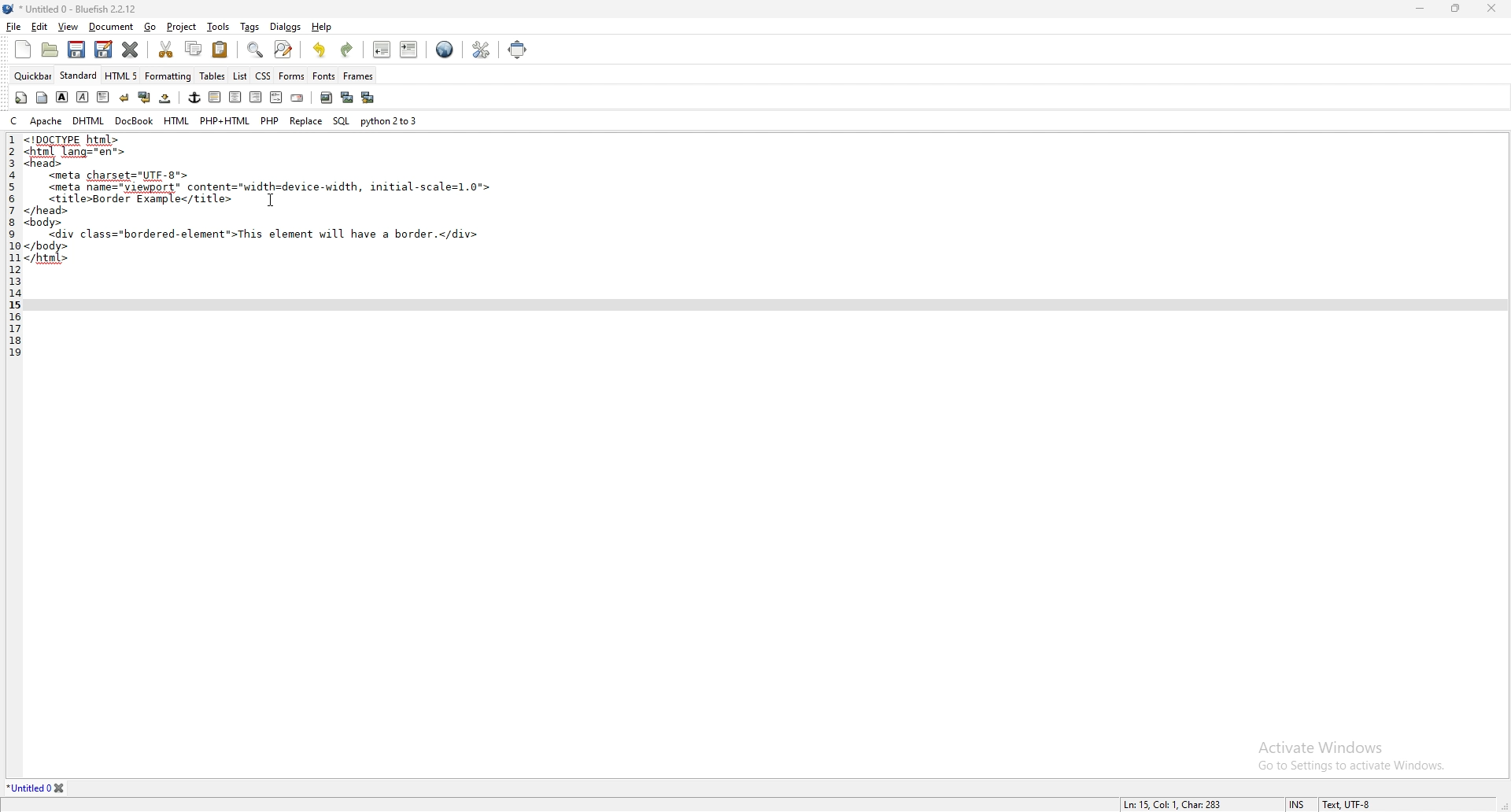 This screenshot has height=812, width=1511. What do you see at coordinates (104, 97) in the screenshot?
I see `paragraph` at bounding box center [104, 97].